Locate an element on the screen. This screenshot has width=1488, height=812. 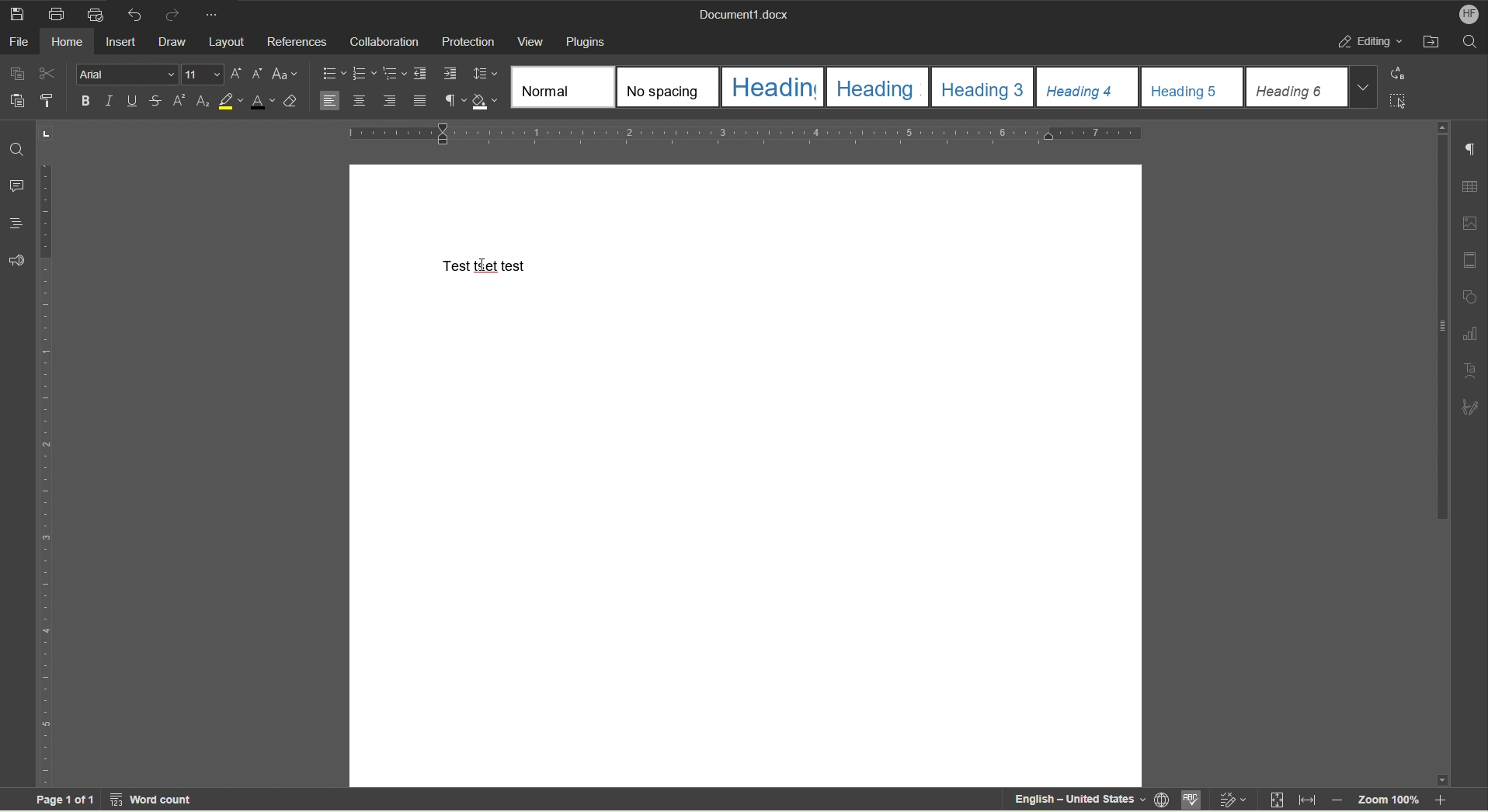
Font is located at coordinates (127, 75).